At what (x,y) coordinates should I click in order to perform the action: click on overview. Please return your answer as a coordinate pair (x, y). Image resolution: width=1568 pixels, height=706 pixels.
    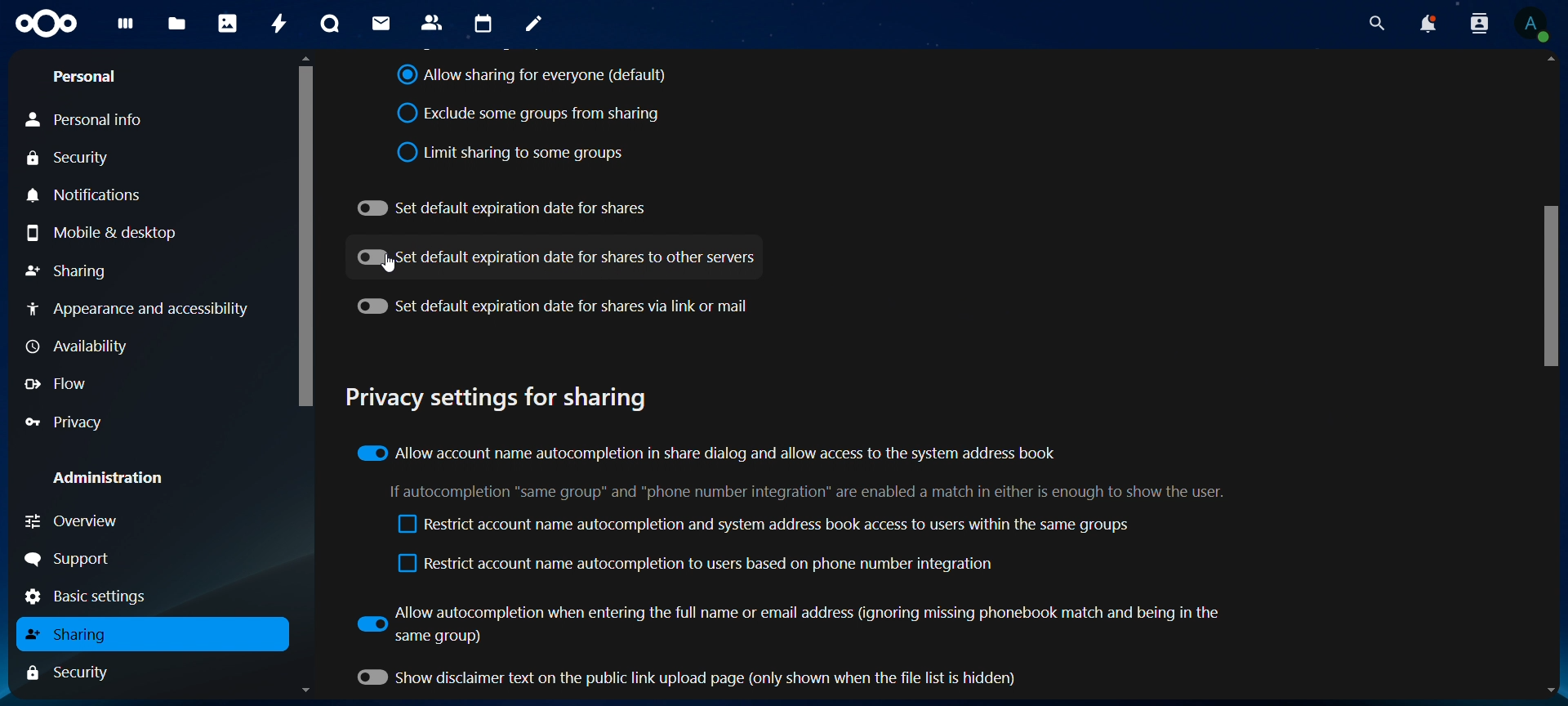
    Looking at the image, I should click on (73, 518).